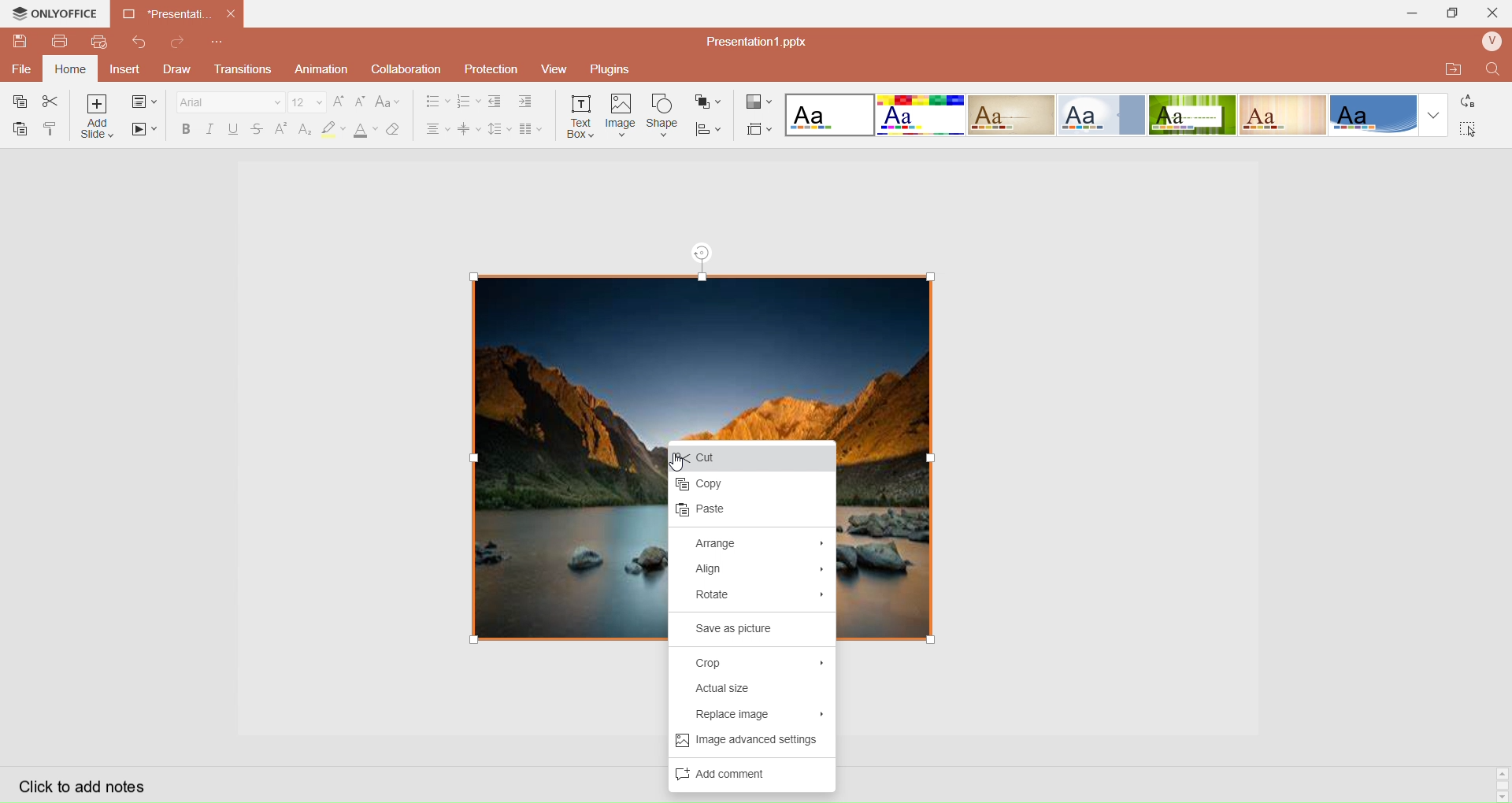 The width and height of the screenshot is (1512, 803). Describe the element at coordinates (710, 102) in the screenshot. I see `Arrange Shape` at that location.